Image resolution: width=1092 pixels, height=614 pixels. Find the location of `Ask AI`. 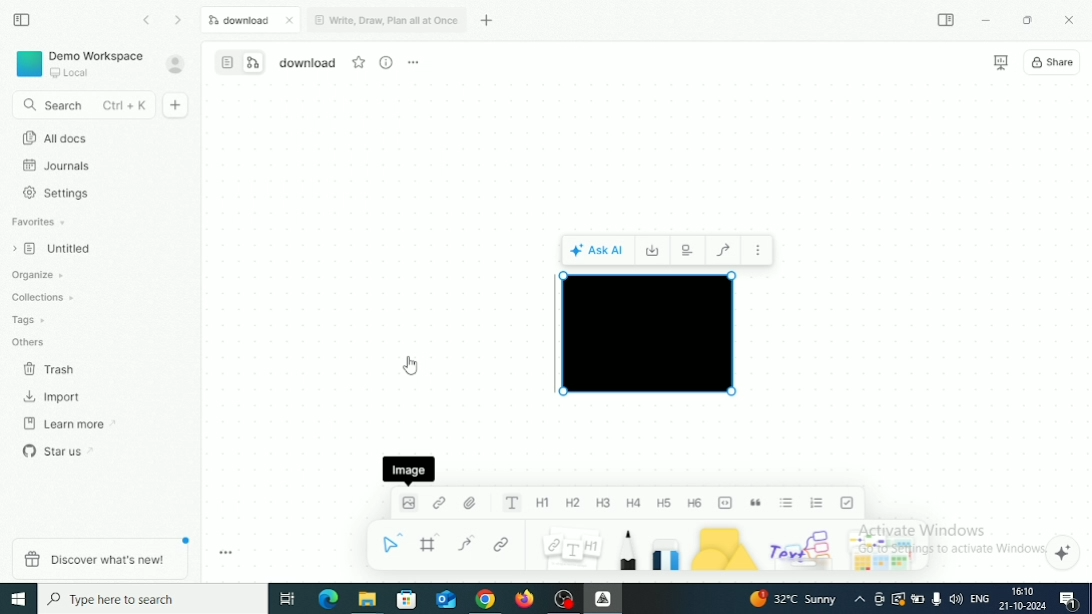

Ask AI is located at coordinates (598, 250).